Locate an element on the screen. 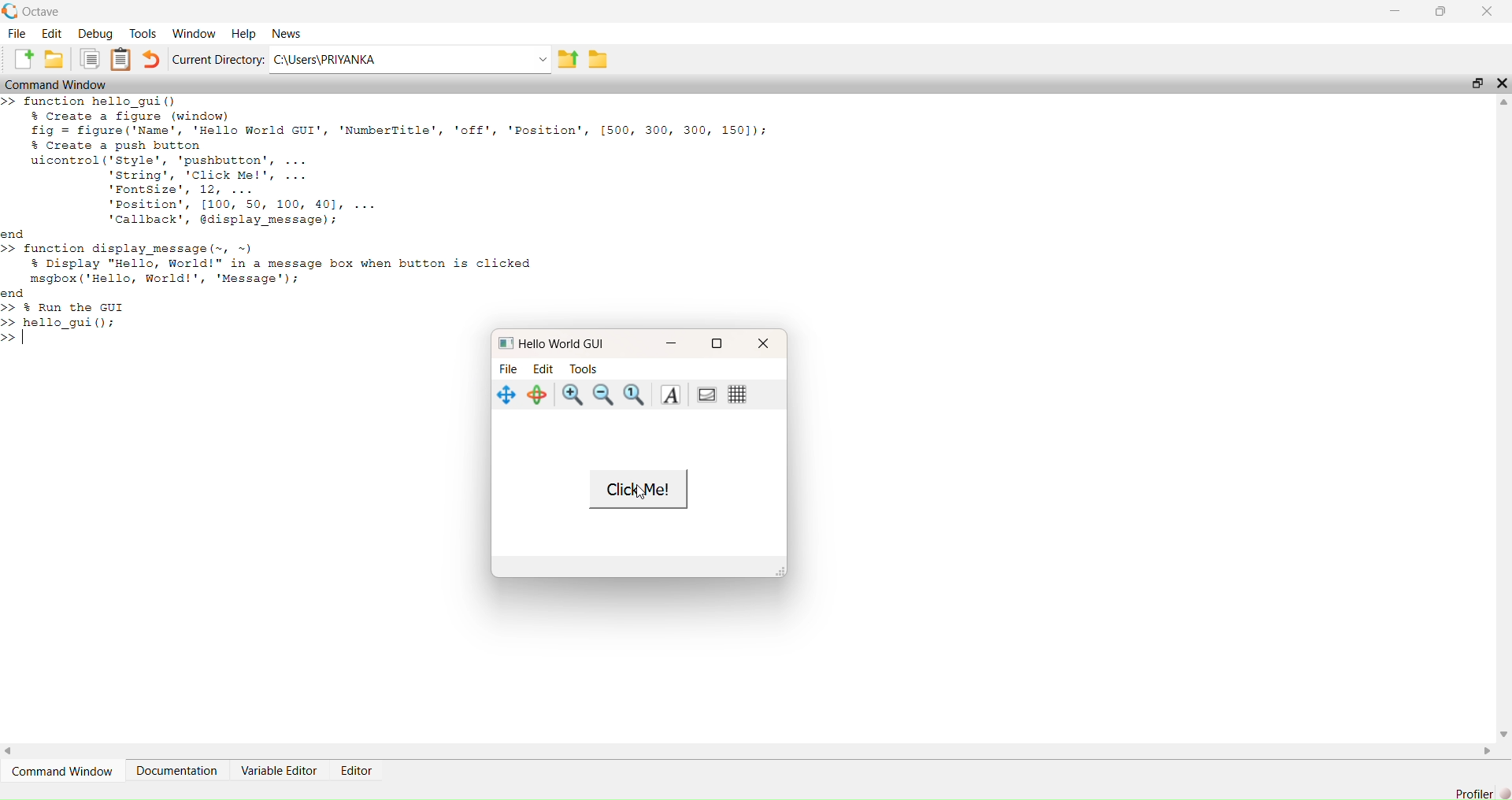 The width and height of the screenshot is (1512, 800). maximise is located at coordinates (1473, 80).